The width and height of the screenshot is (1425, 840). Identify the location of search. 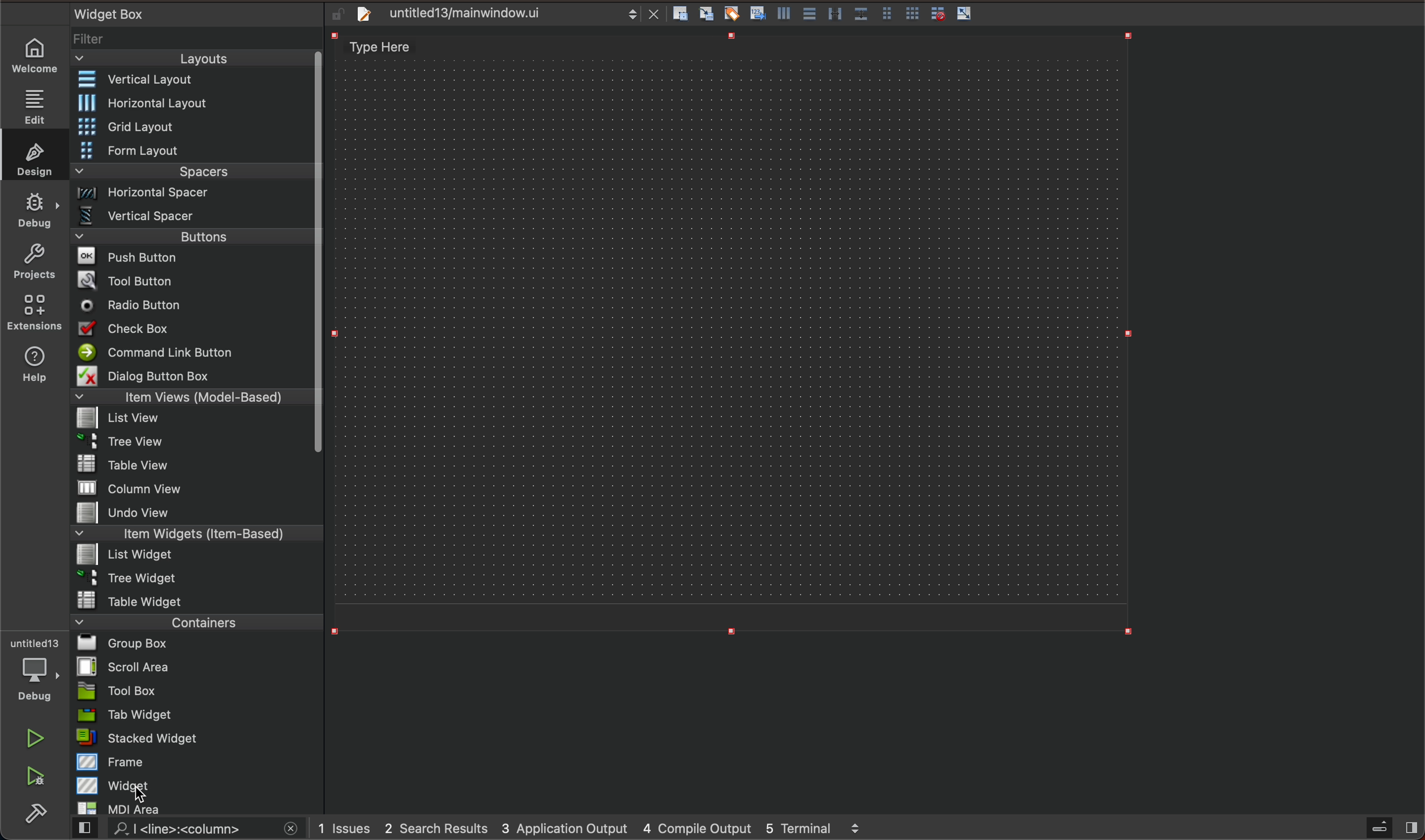
(189, 830).